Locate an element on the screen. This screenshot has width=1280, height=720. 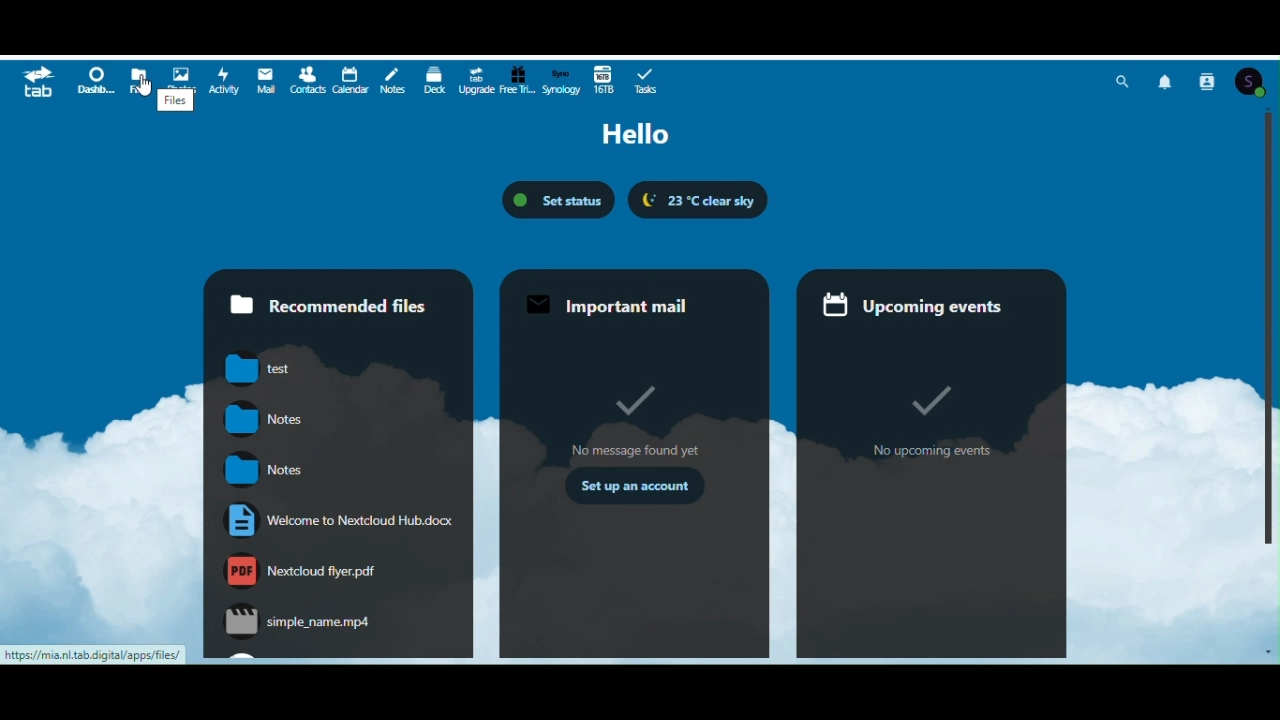
Contacts is located at coordinates (1209, 81).